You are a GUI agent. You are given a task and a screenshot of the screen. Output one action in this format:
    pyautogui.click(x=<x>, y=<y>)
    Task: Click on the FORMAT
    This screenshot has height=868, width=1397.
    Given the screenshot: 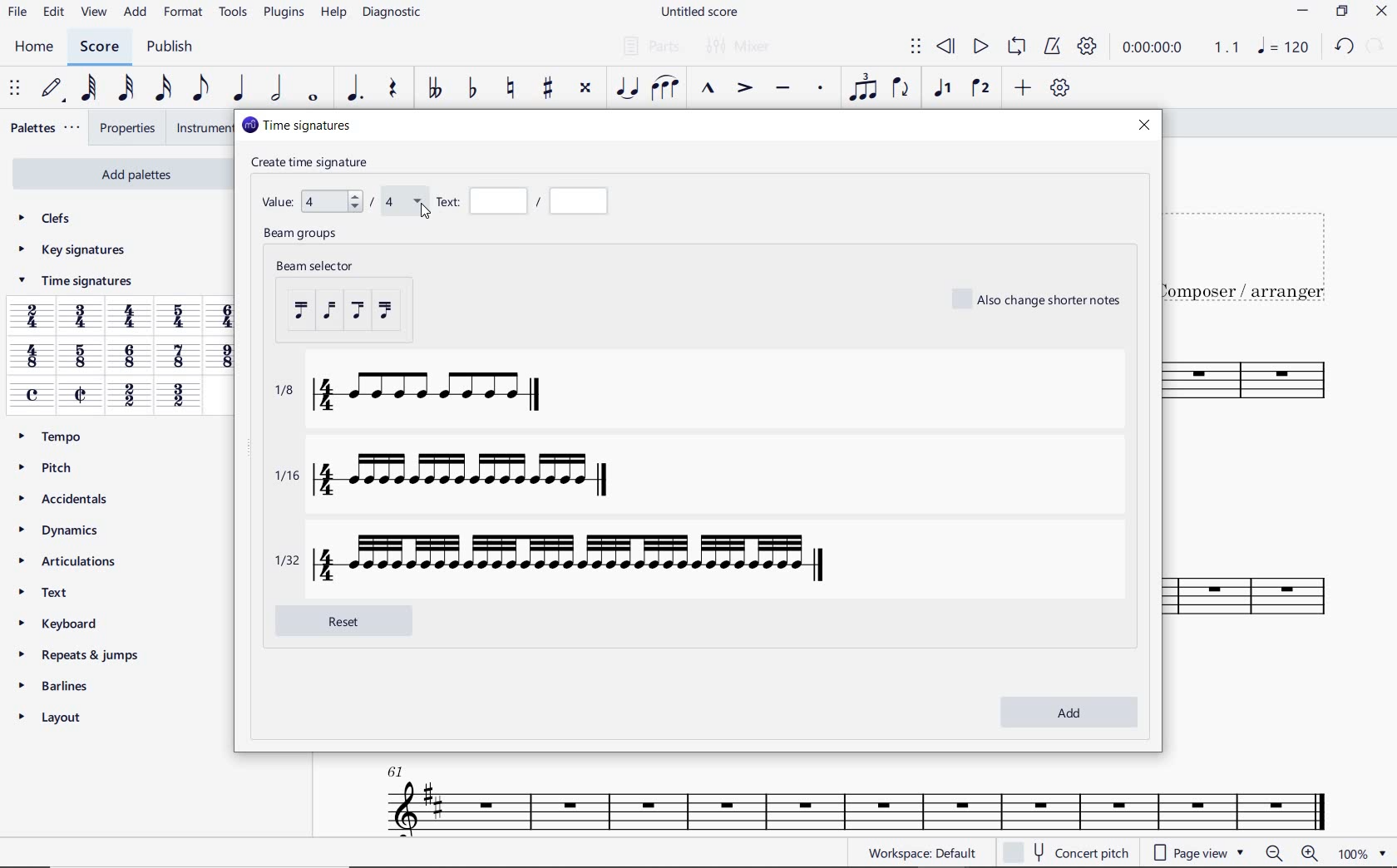 What is the action you would take?
    pyautogui.click(x=183, y=12)
    